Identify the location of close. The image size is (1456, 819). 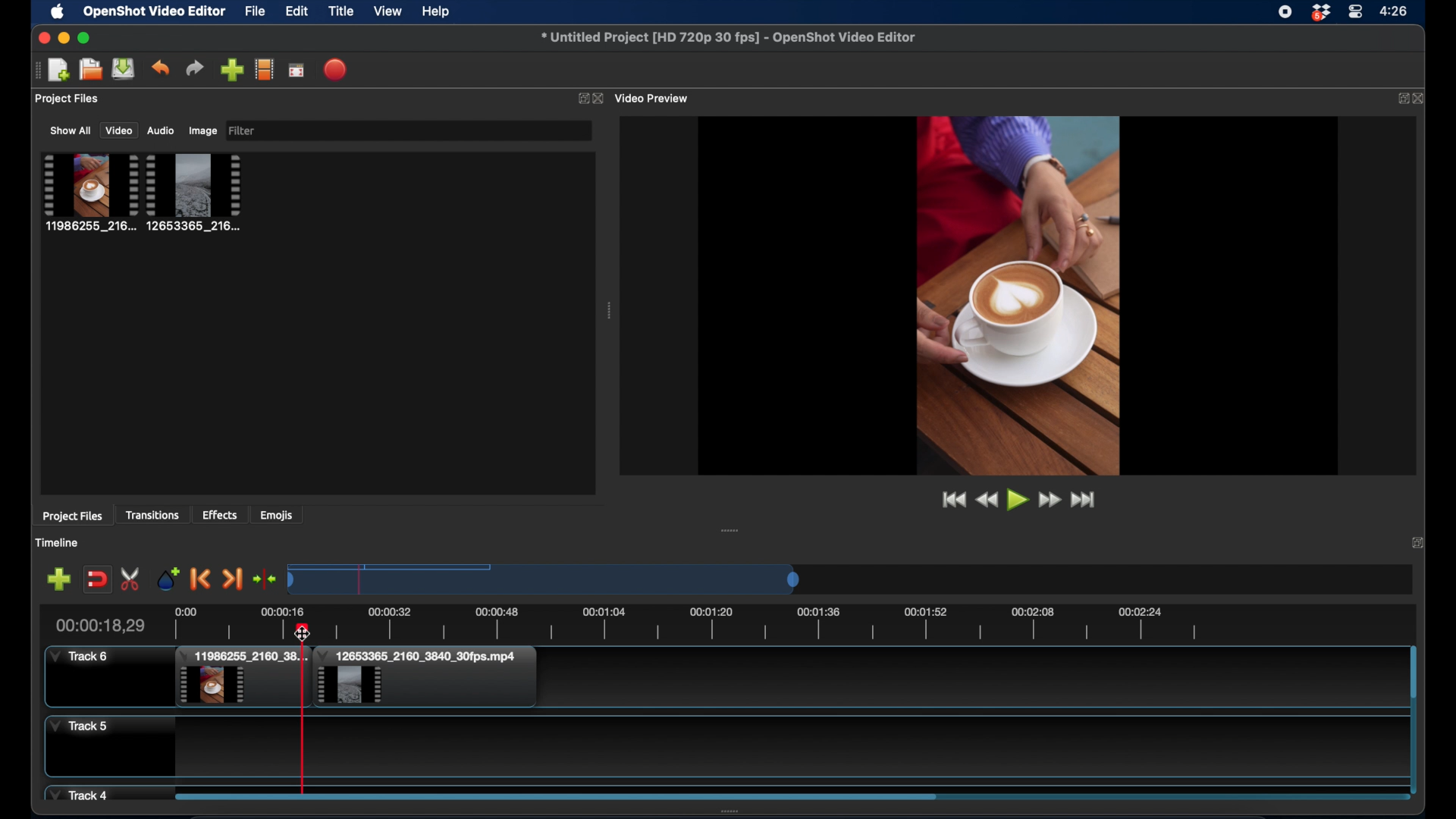
(600, 99).